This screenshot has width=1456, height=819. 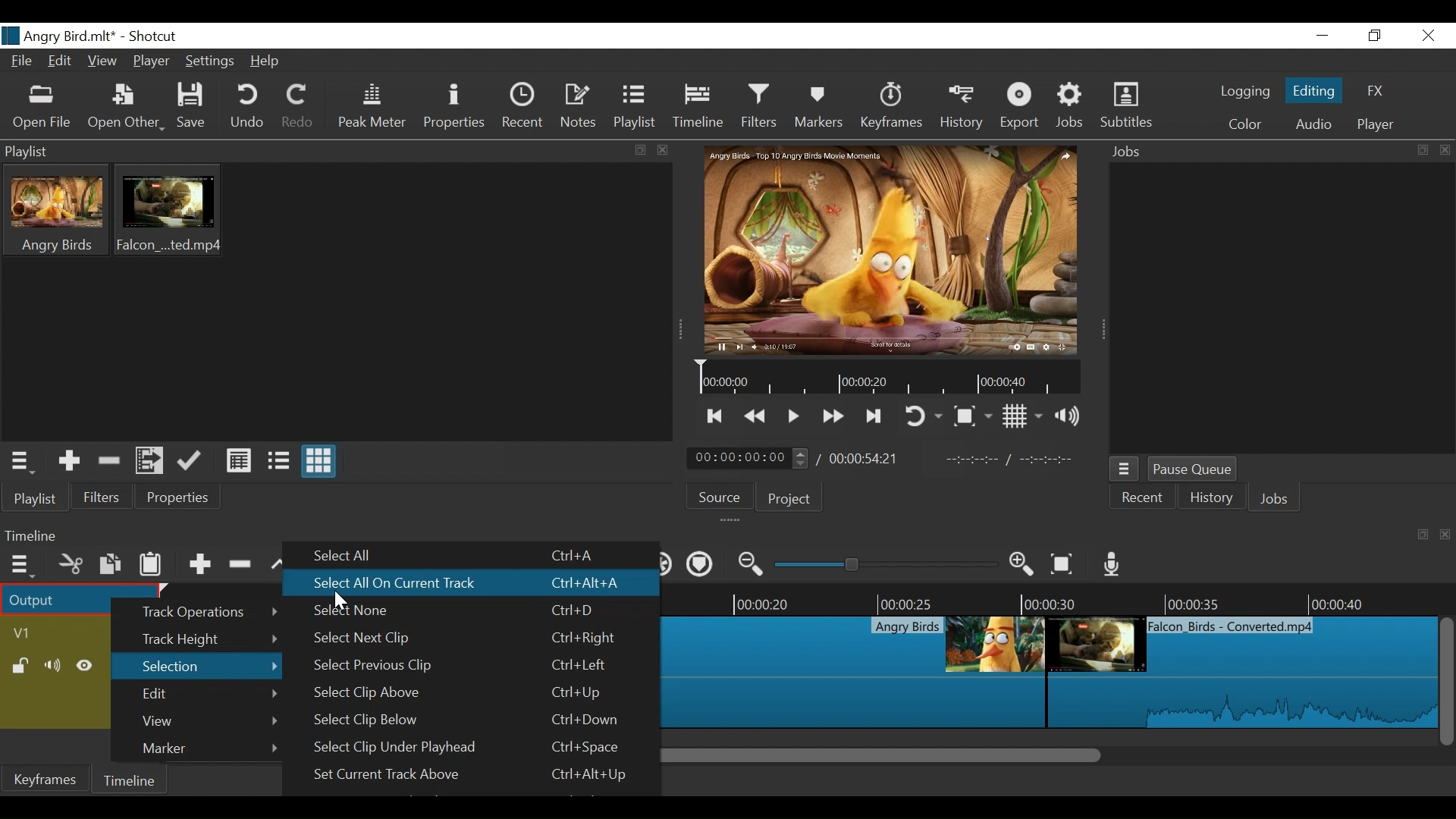 I want to click on Select None, so click(x=481, y=610).